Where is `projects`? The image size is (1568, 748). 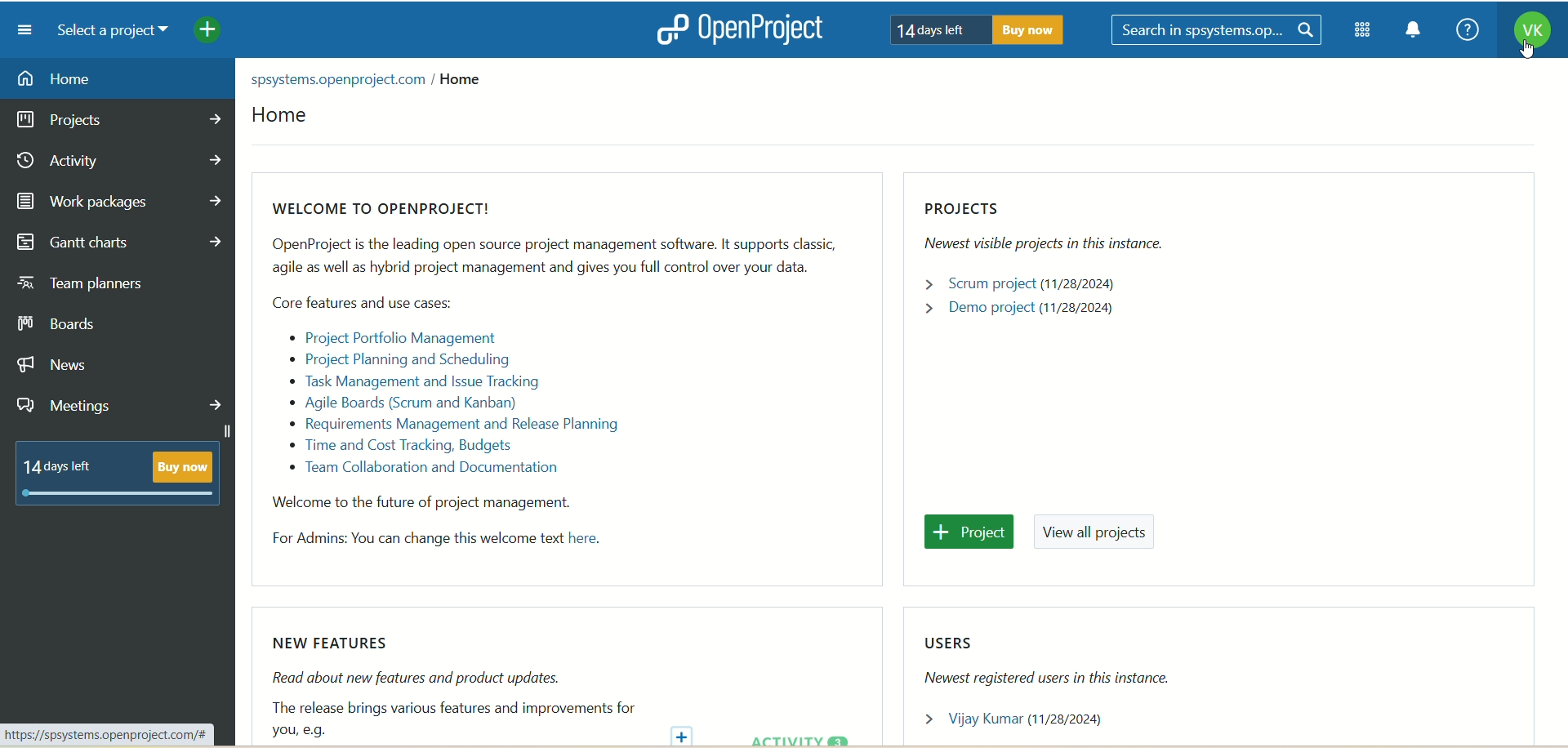
projects is located at coordinates (121, 120).